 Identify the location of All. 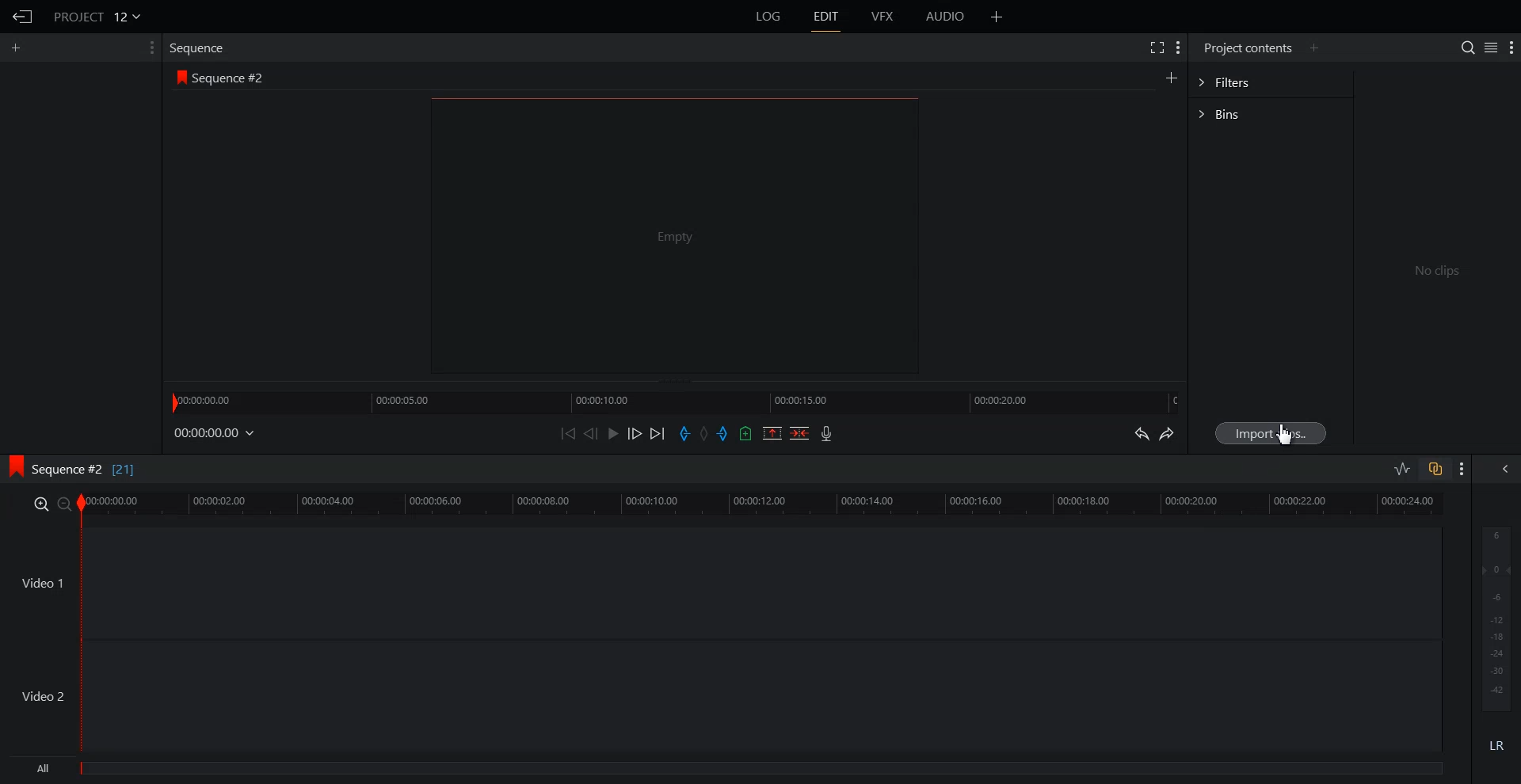
(729, 771).